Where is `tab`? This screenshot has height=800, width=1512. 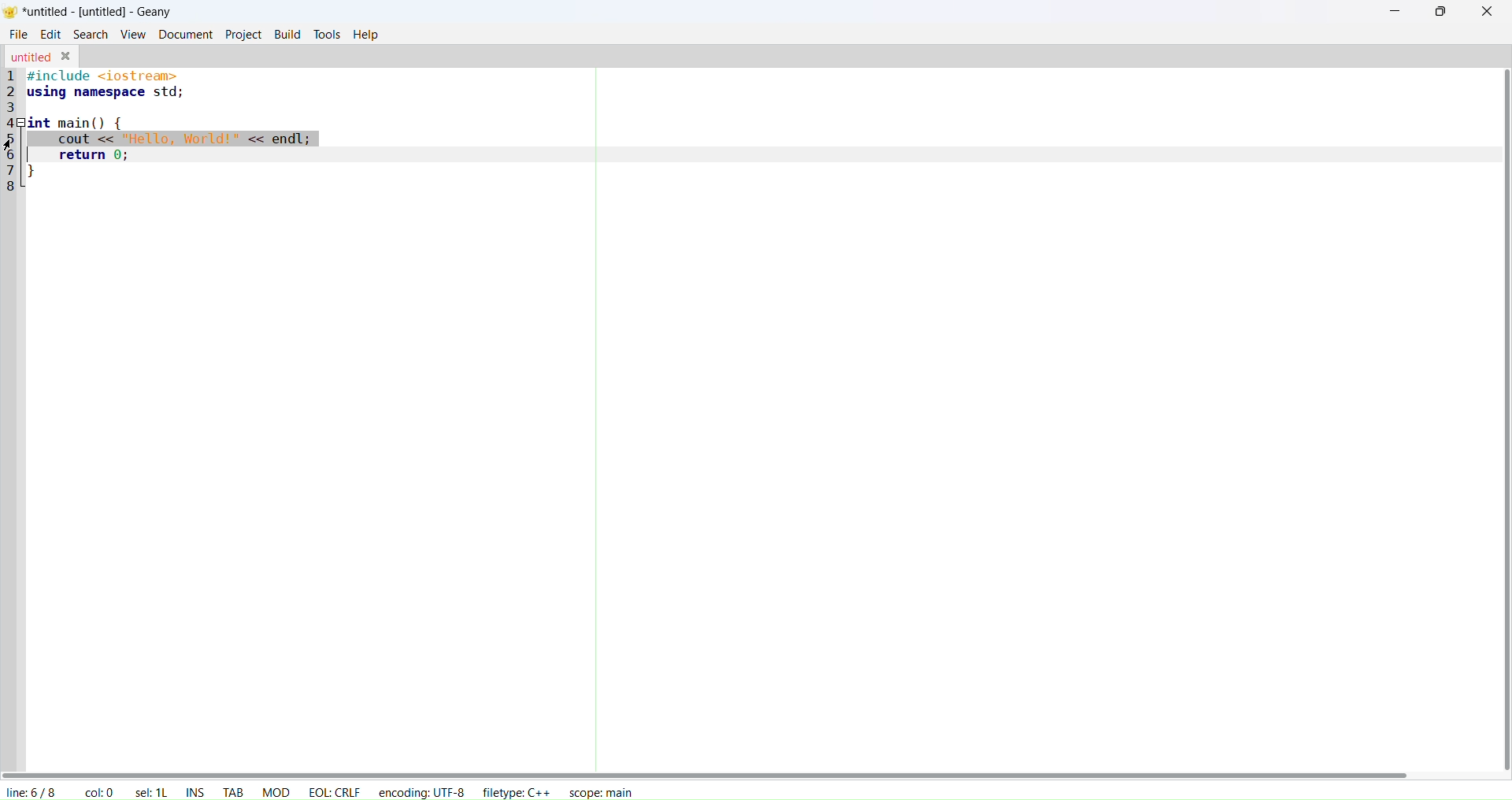 tab is located at coordinates (233, 790).